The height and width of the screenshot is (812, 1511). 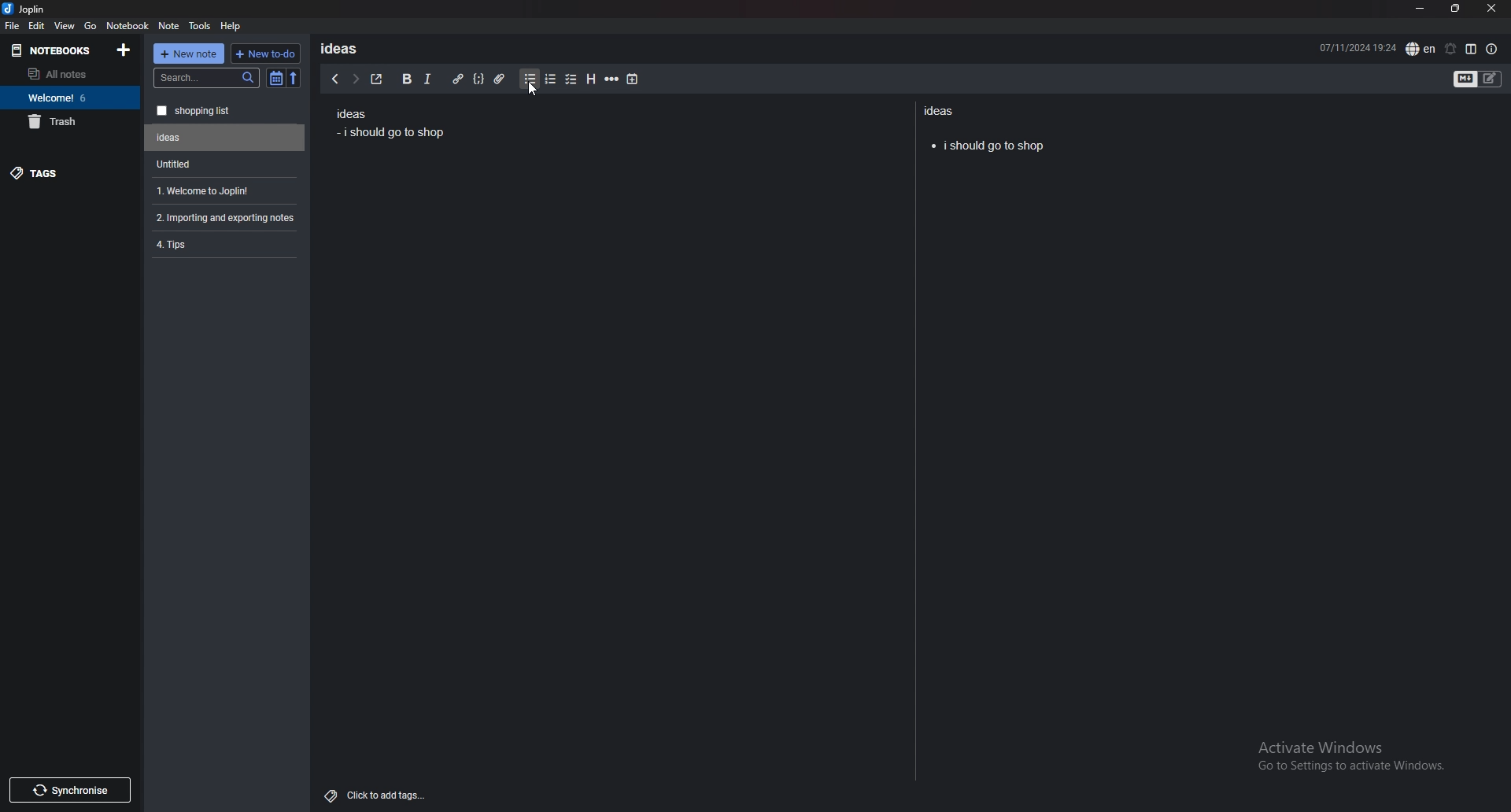 What do you see at coordinates (225, 138) in the screenshot?
I see `Untitled` at bounding box center [225, 138].